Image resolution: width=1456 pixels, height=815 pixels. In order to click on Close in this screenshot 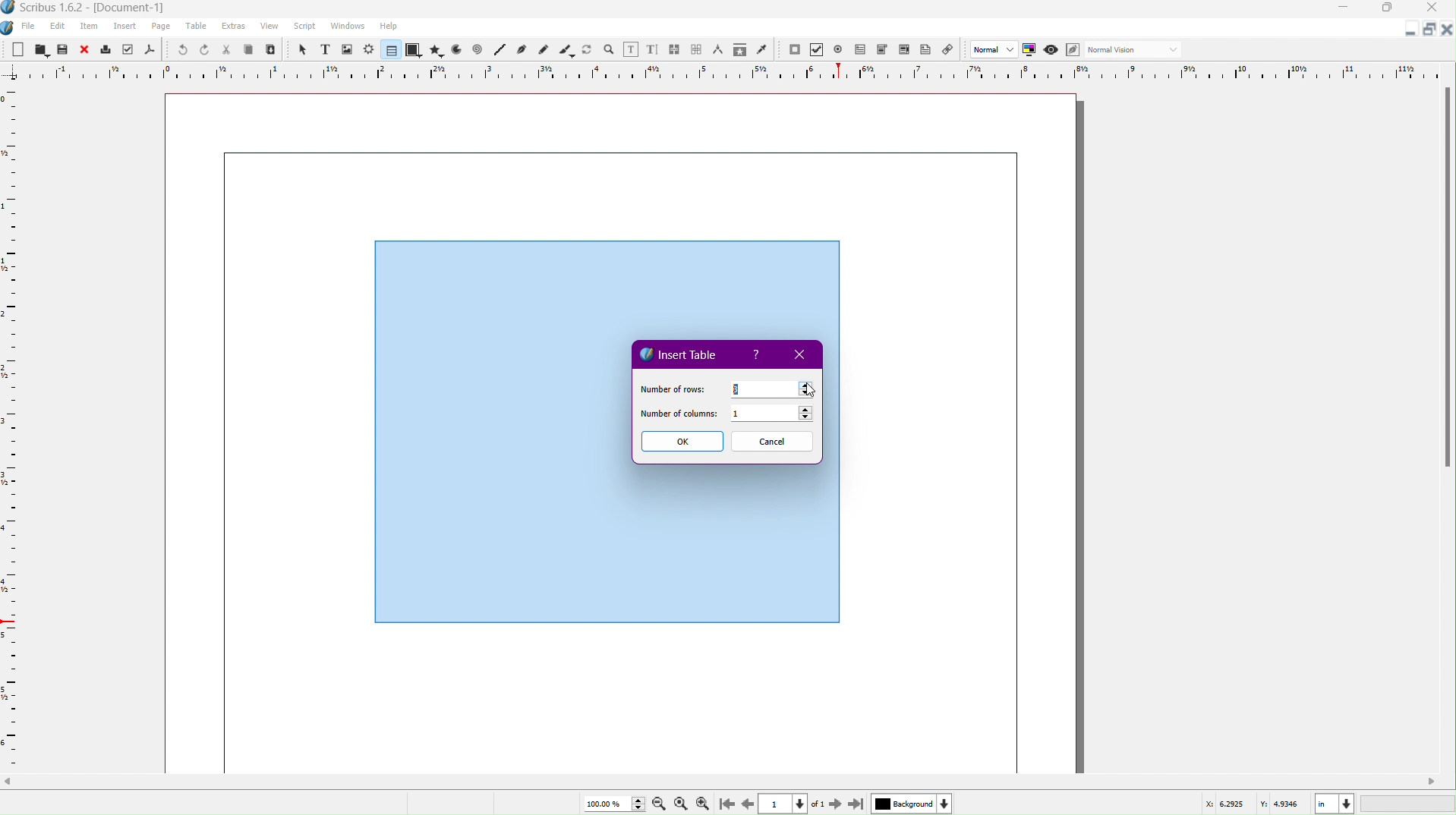, I will do `click(1436, 9)`.